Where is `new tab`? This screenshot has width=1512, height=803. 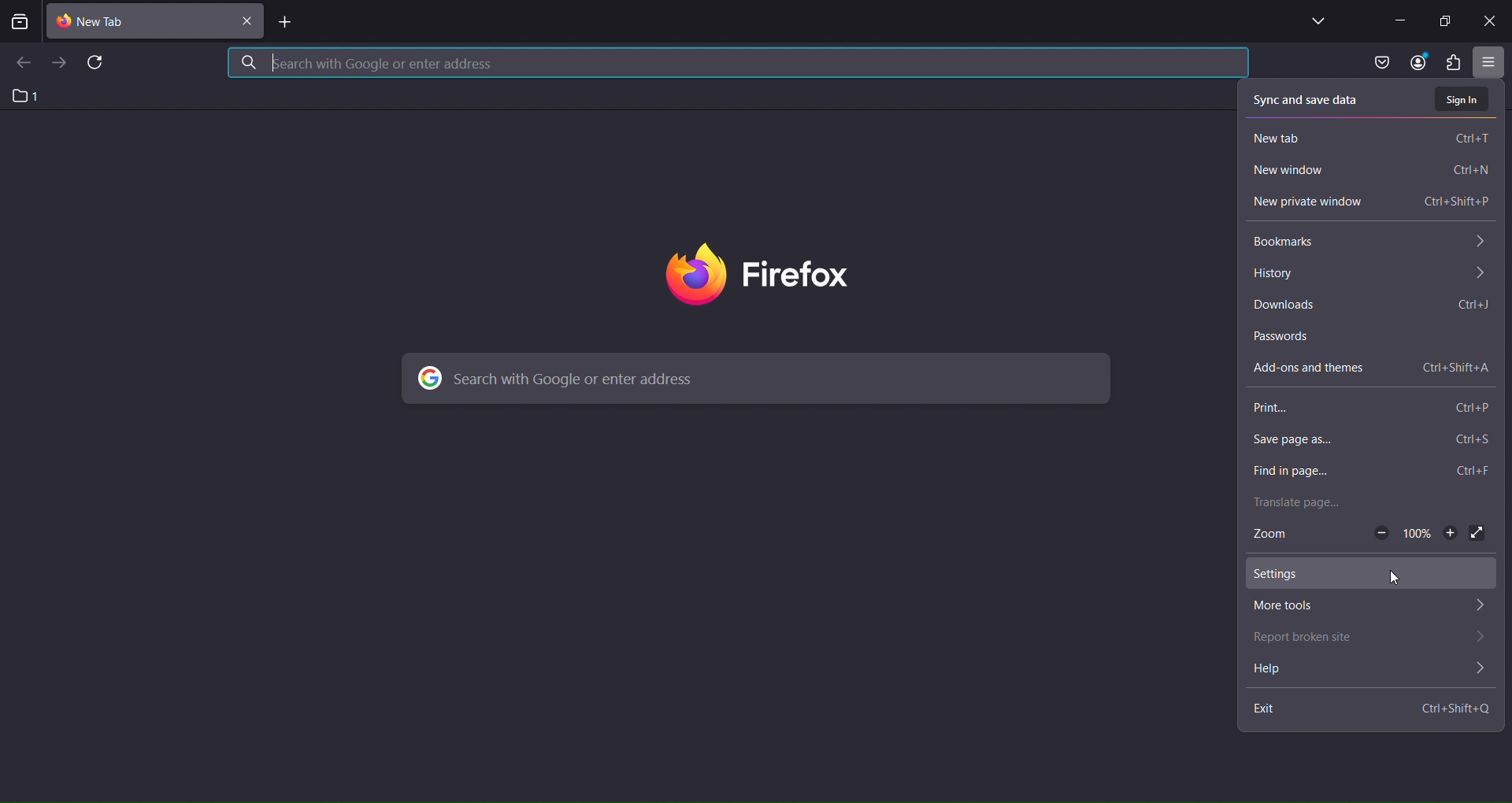 new tab is located at coordinates (287, 24).